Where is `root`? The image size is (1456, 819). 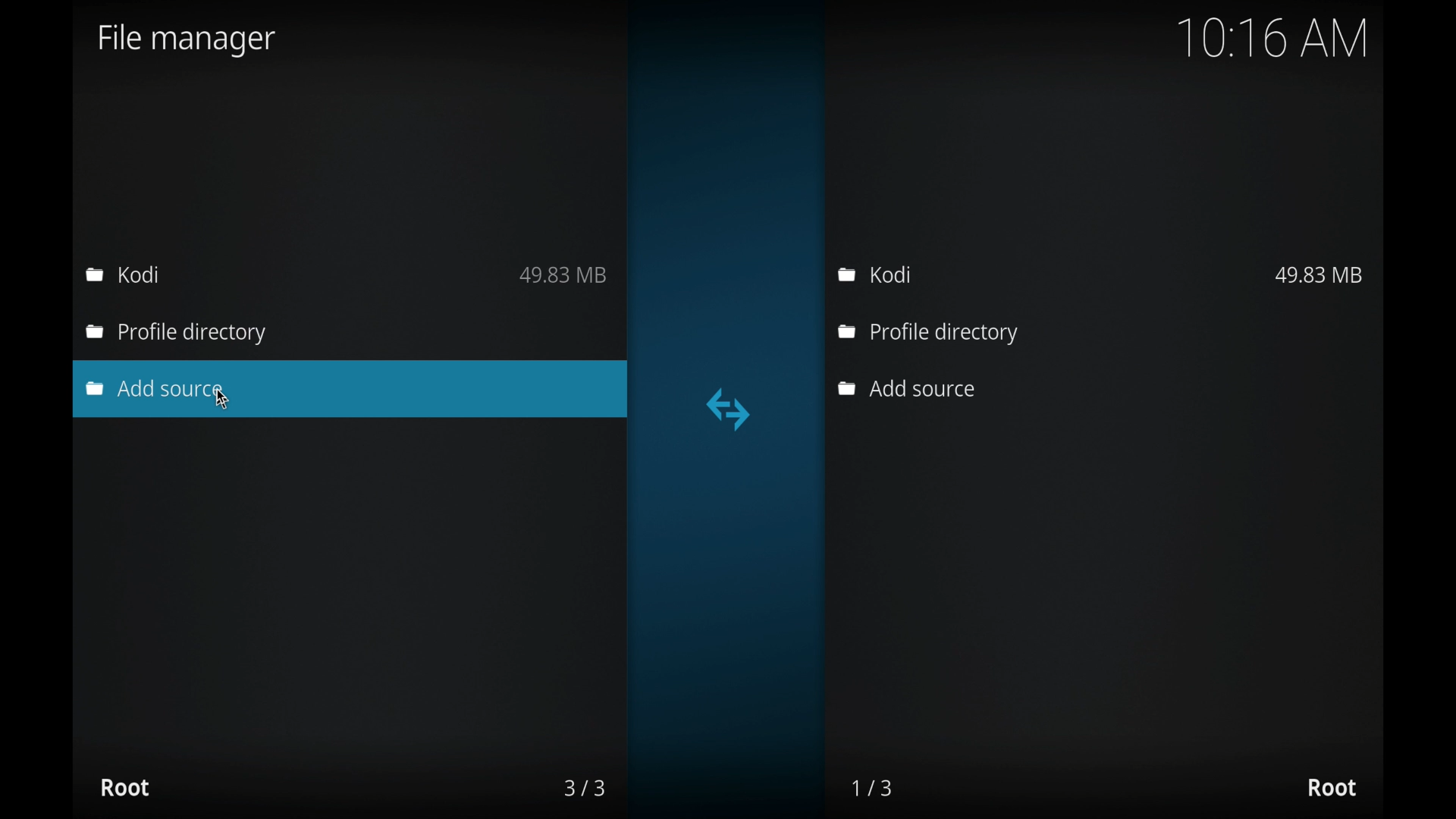 root is located at coordinates (1332, 788).